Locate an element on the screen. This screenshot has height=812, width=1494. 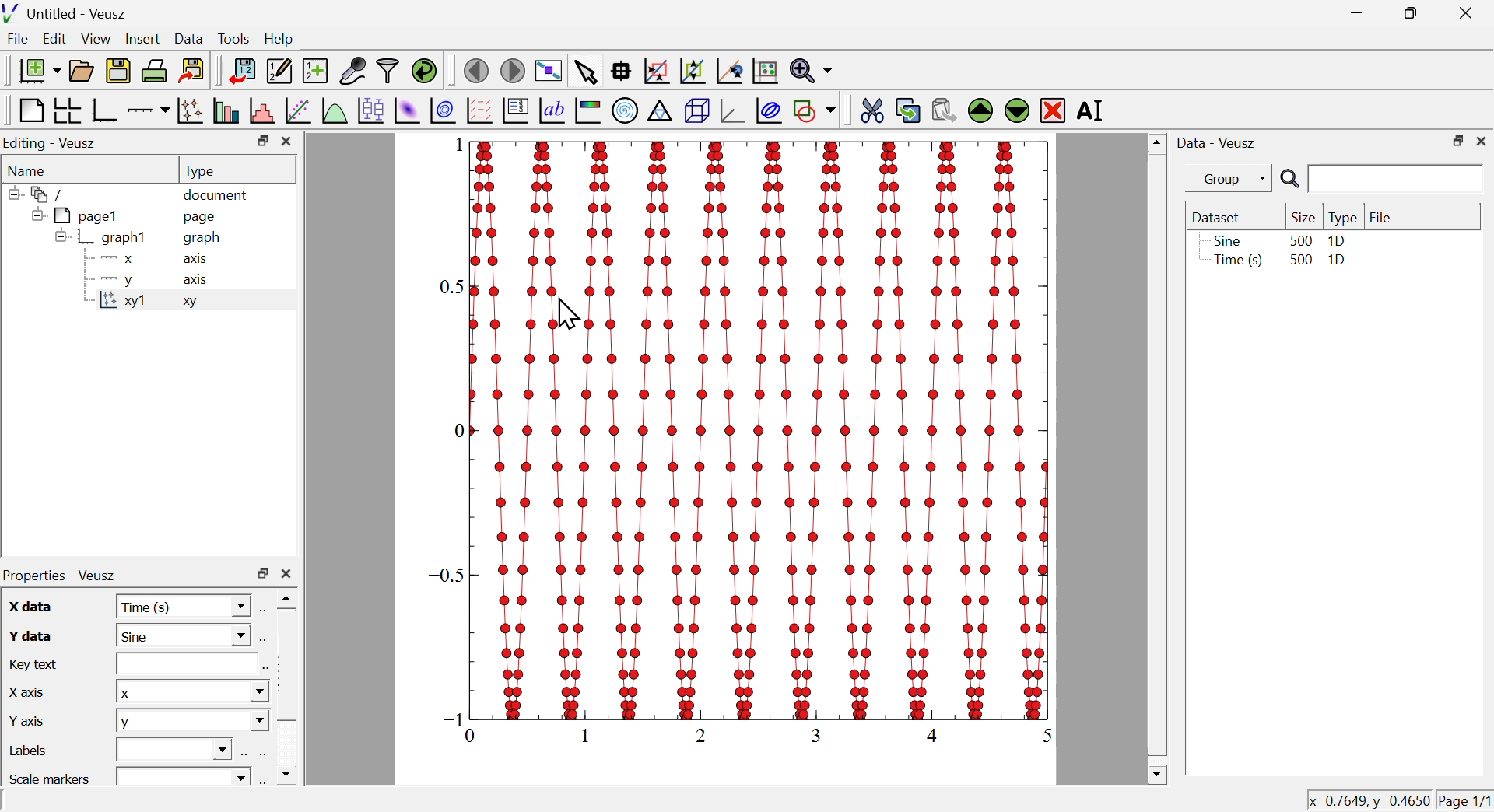
plot key is located at coordinates (516, 113).